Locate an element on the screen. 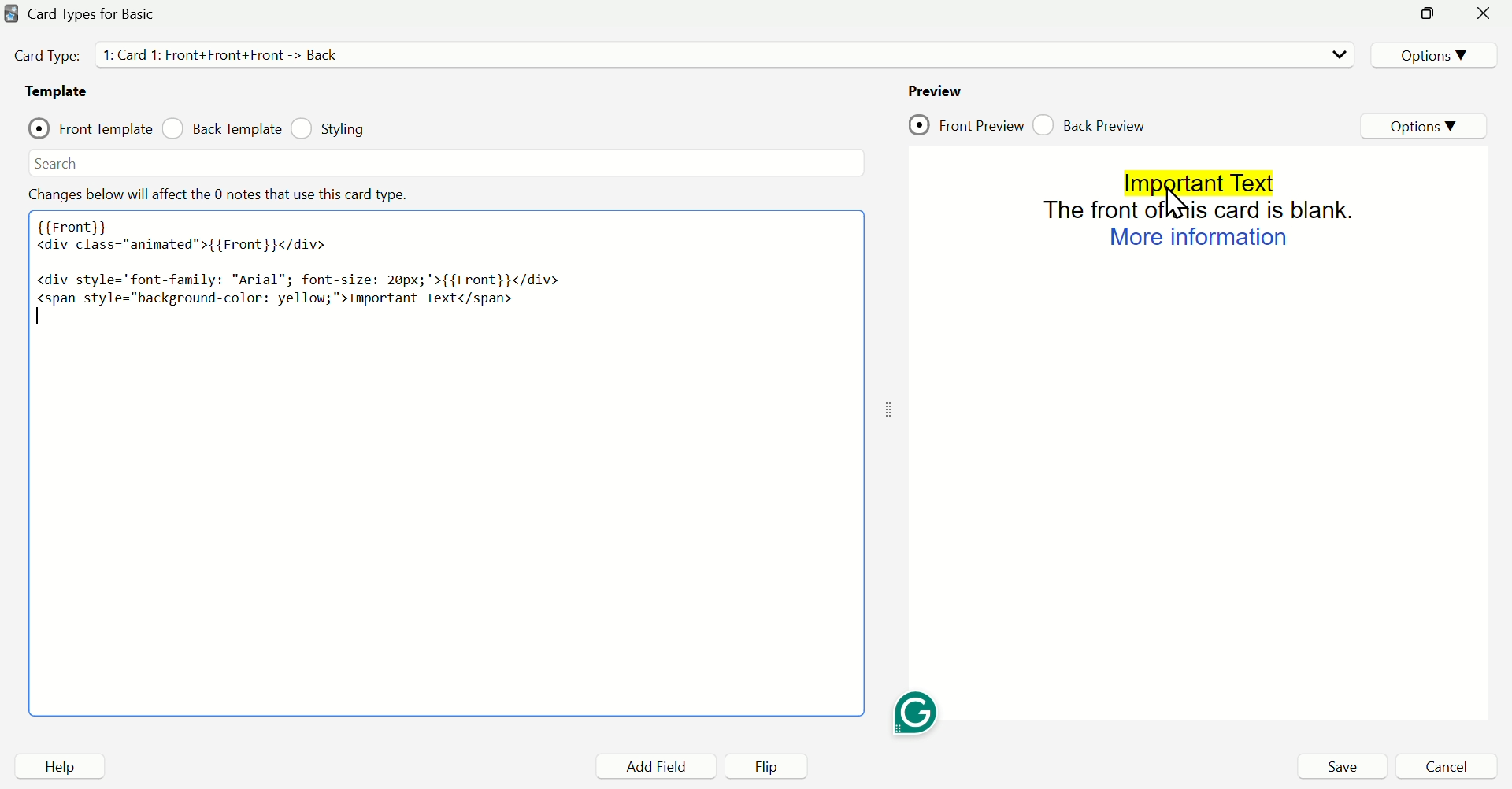 The width and height of the screenshot is (1512, 789). Options is located at coordinates (1425, 124).